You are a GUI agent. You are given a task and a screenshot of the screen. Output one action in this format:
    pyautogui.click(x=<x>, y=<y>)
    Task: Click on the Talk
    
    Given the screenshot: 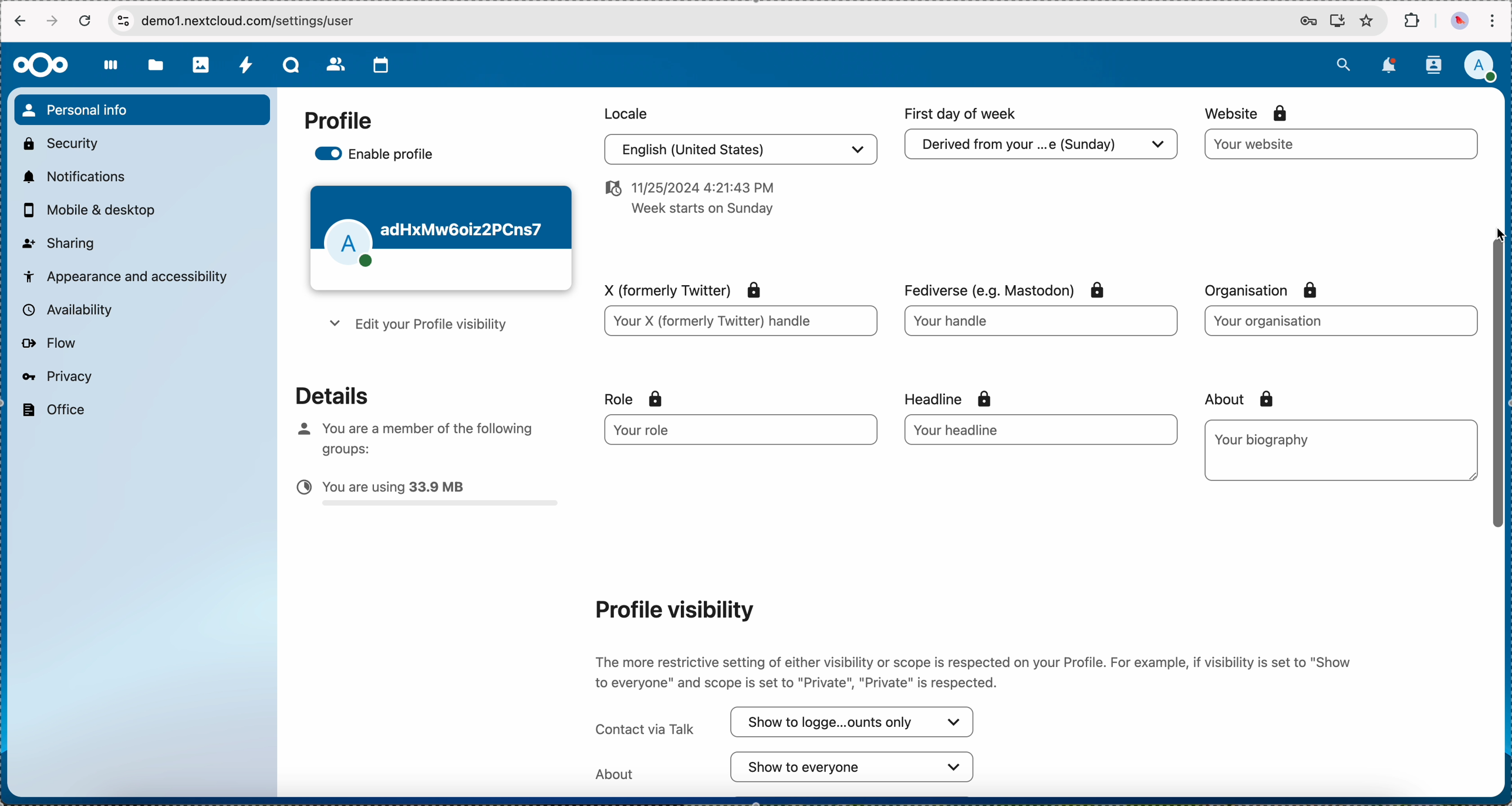 What is the action you would take?
    pyautogui.click(x=293, y=66)
    